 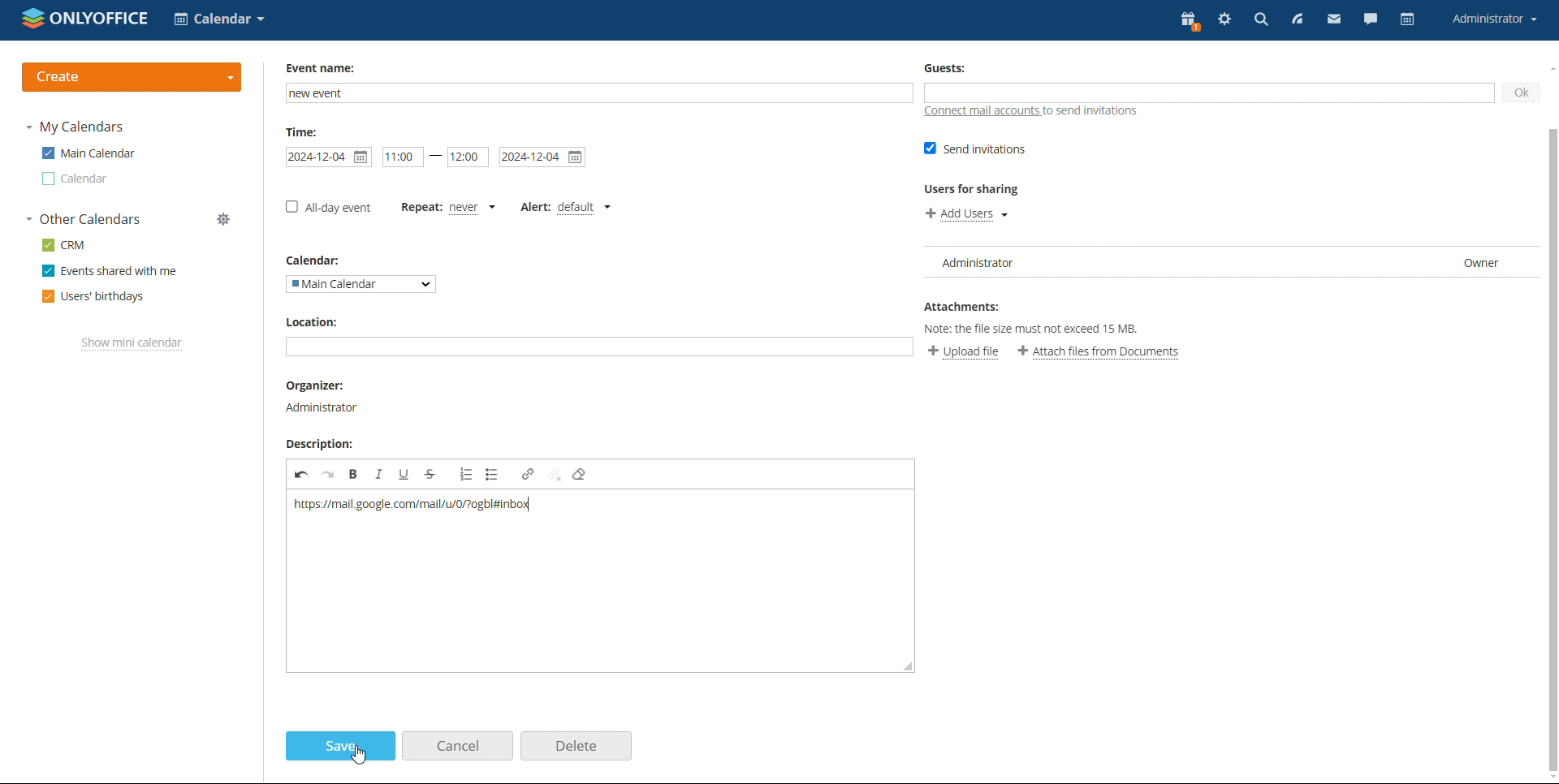 I want to click on main calendar, so click(x=87, y=153).